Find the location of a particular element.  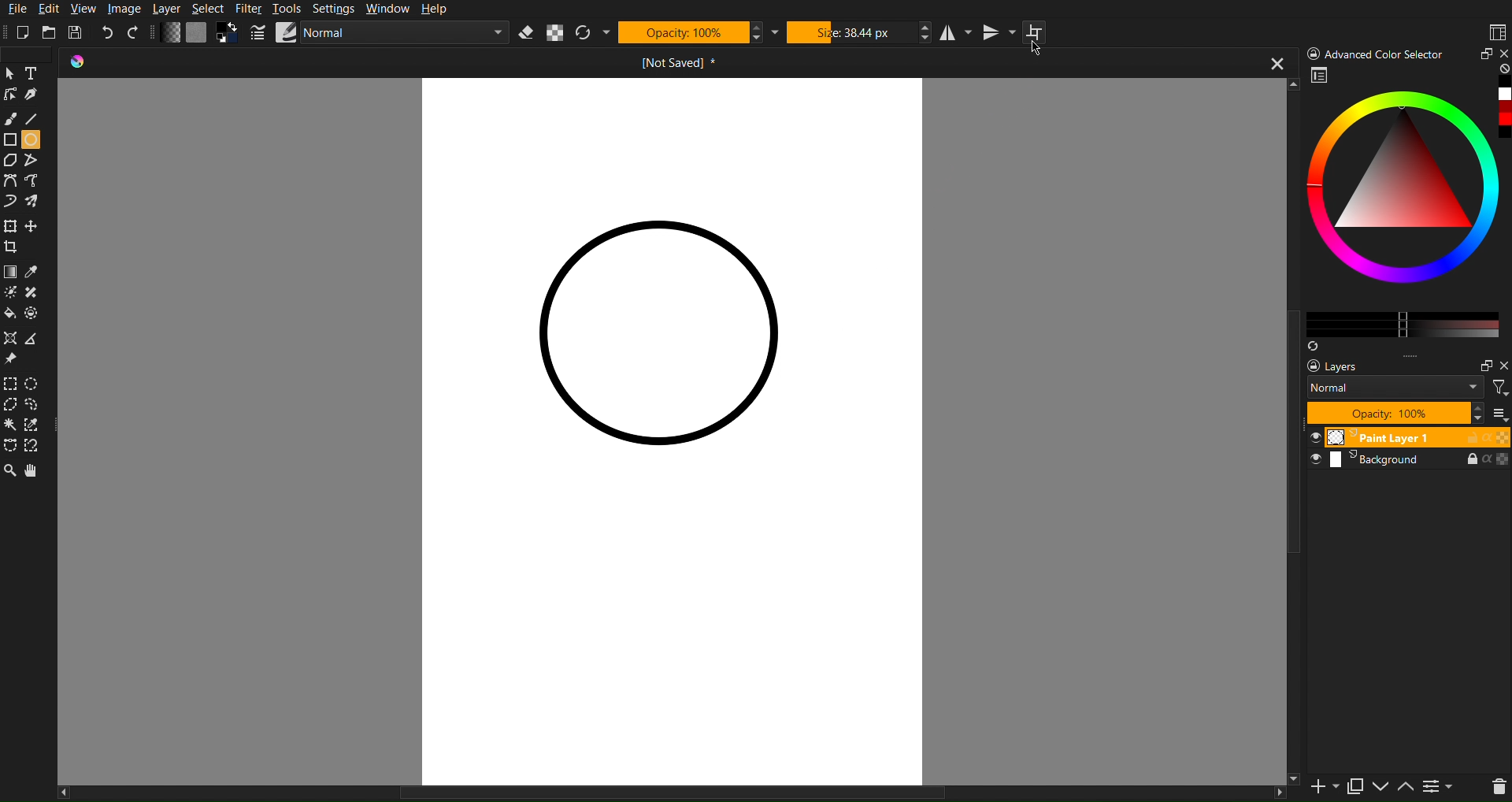

Tools is located at coordinates (290, 7).